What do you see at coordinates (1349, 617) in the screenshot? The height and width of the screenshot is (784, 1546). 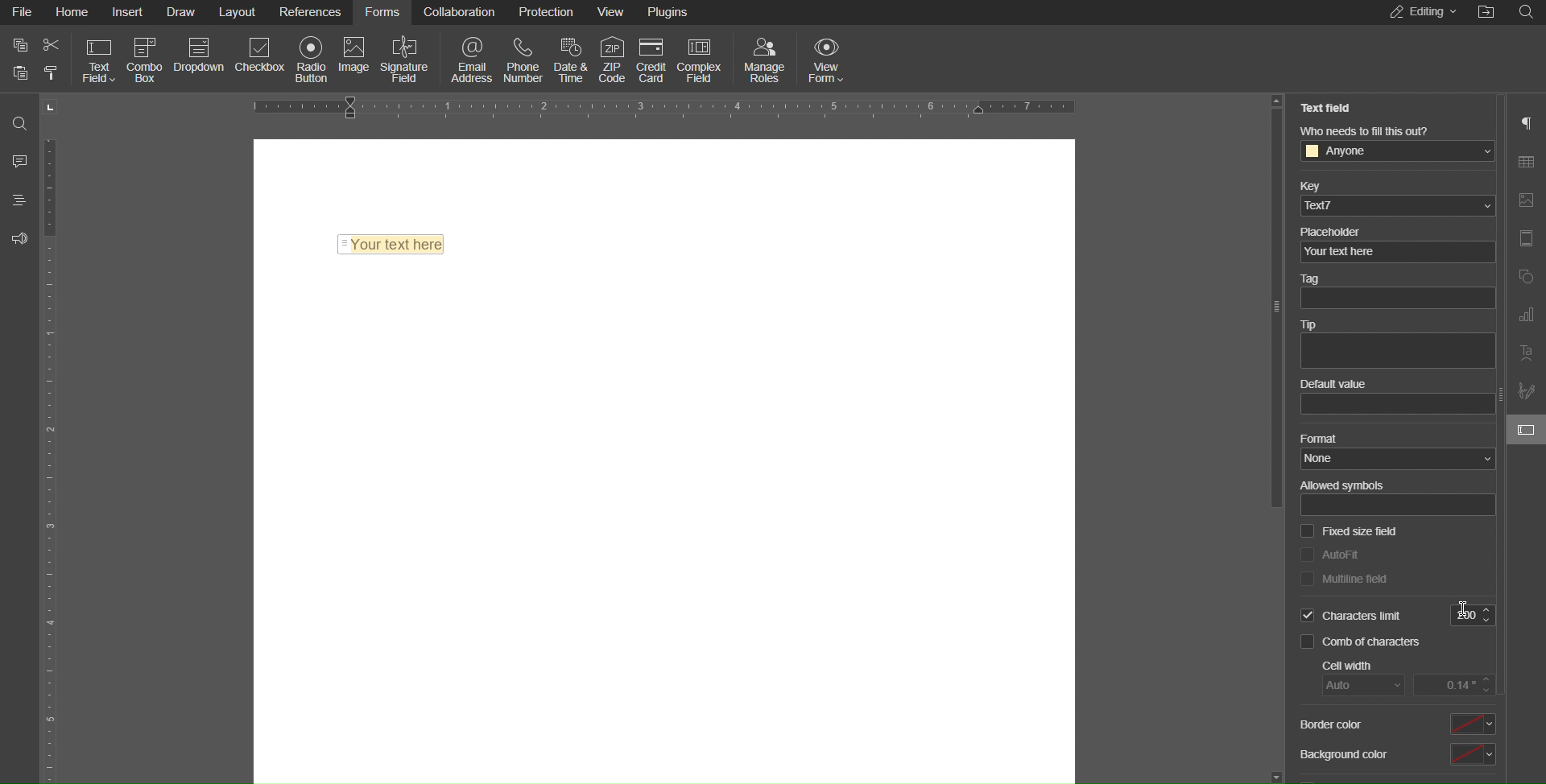 I see `Selected` at bounding box center [1349, 617].